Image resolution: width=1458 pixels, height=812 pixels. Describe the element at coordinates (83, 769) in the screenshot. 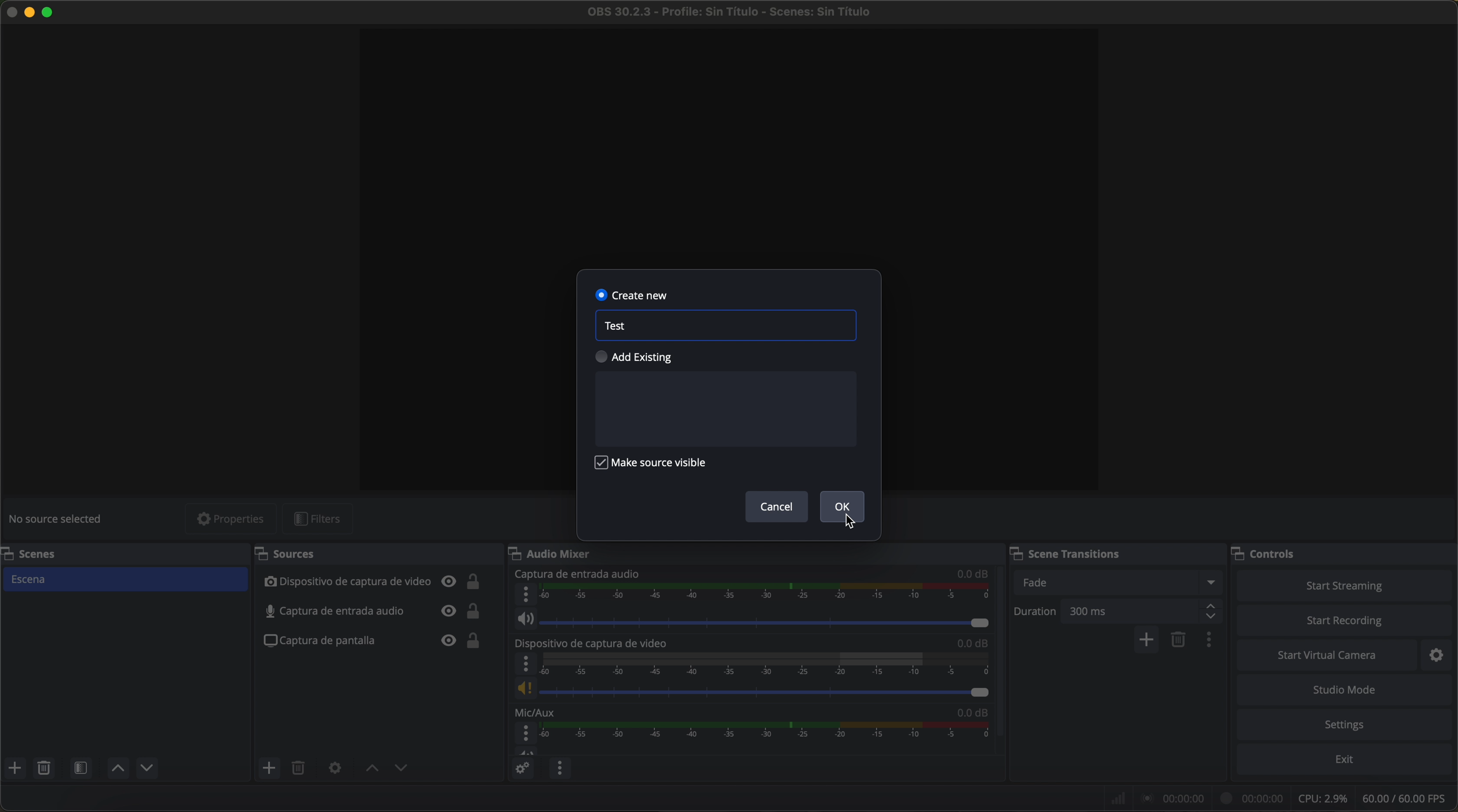

I see `open scene filters` at that location.